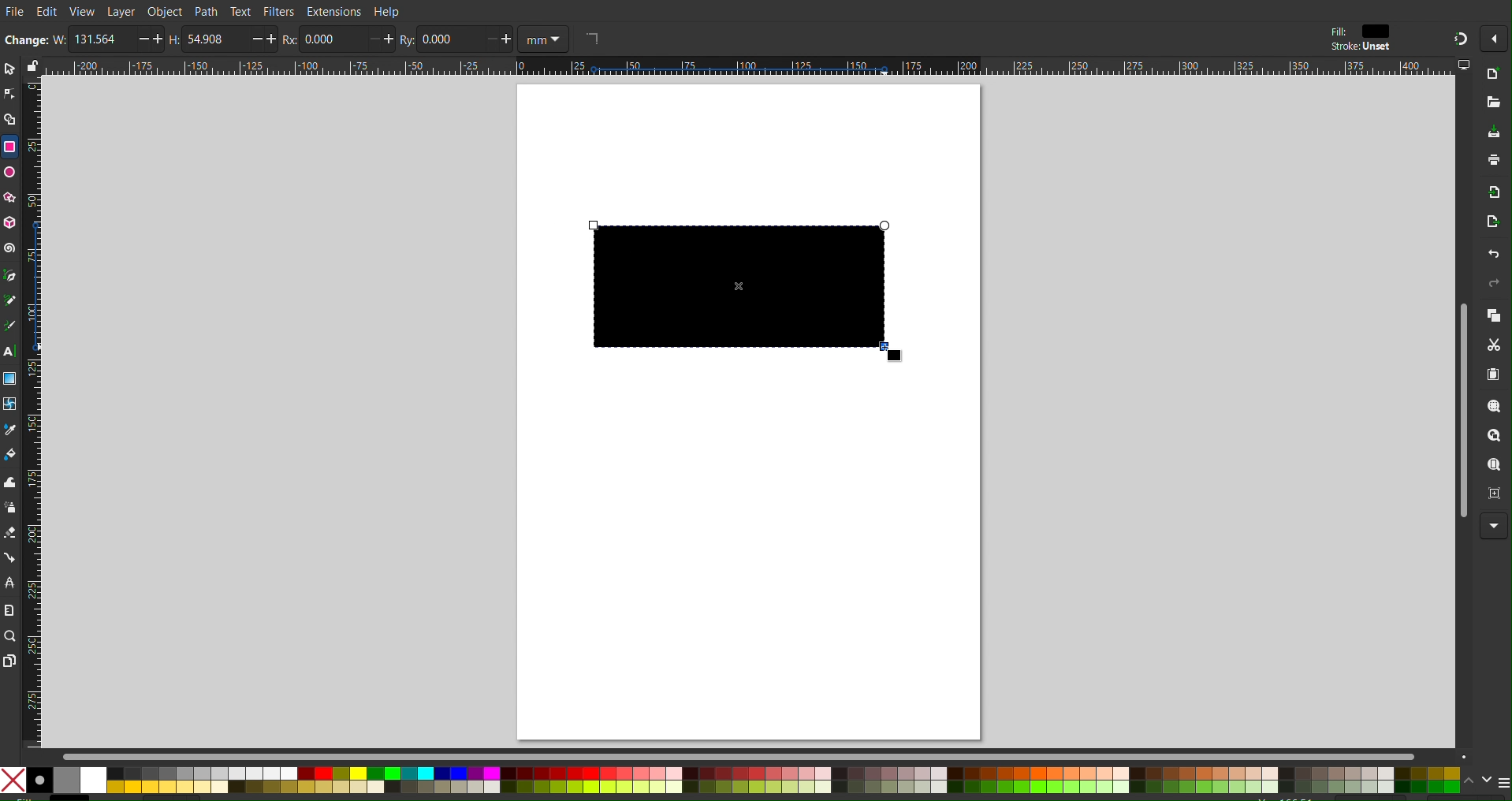  Describe the element at coordinates (32, 412) in the screenshot. I see `Vertical Ruler` at that location.